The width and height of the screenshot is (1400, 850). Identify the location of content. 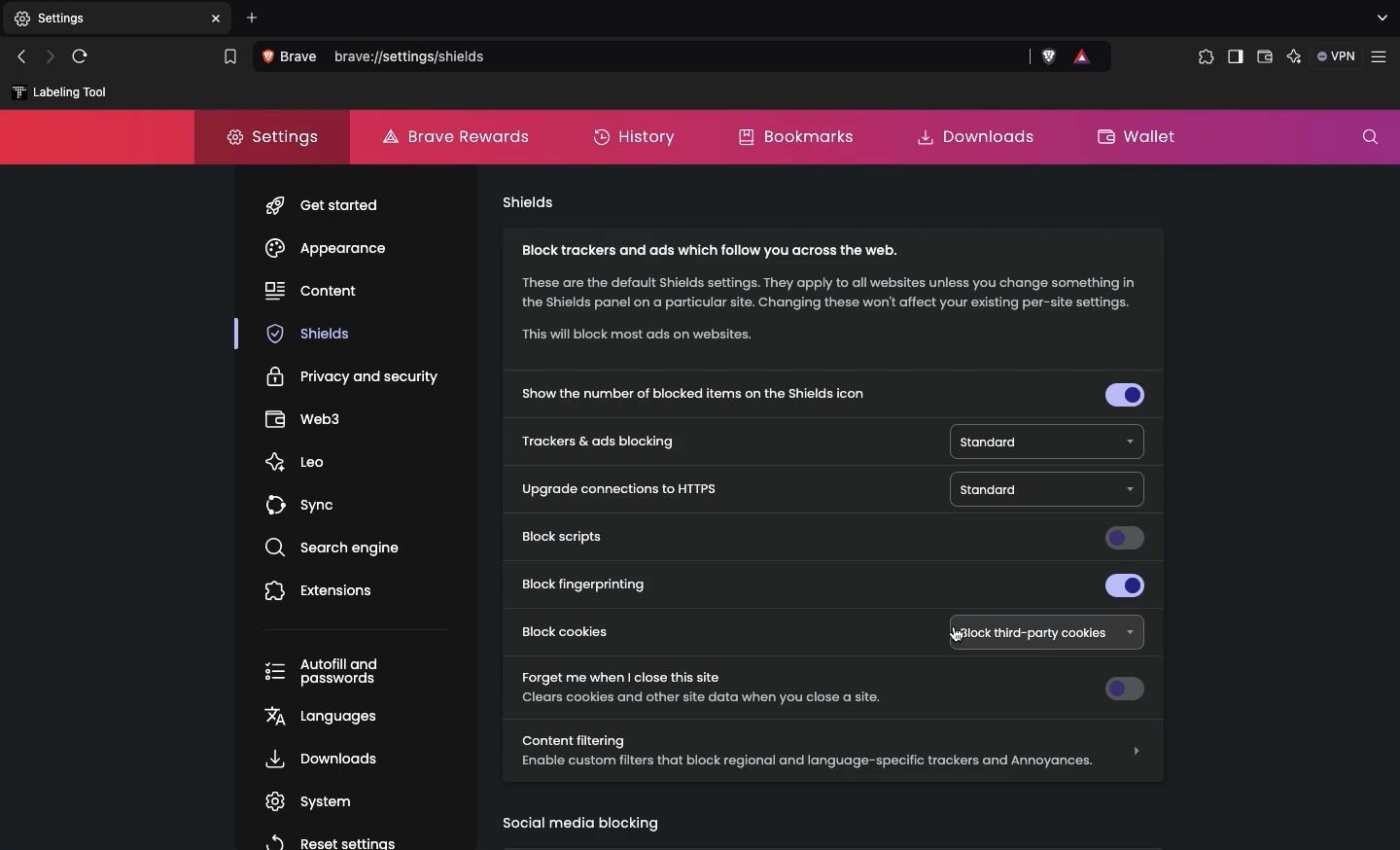
(312, 294).